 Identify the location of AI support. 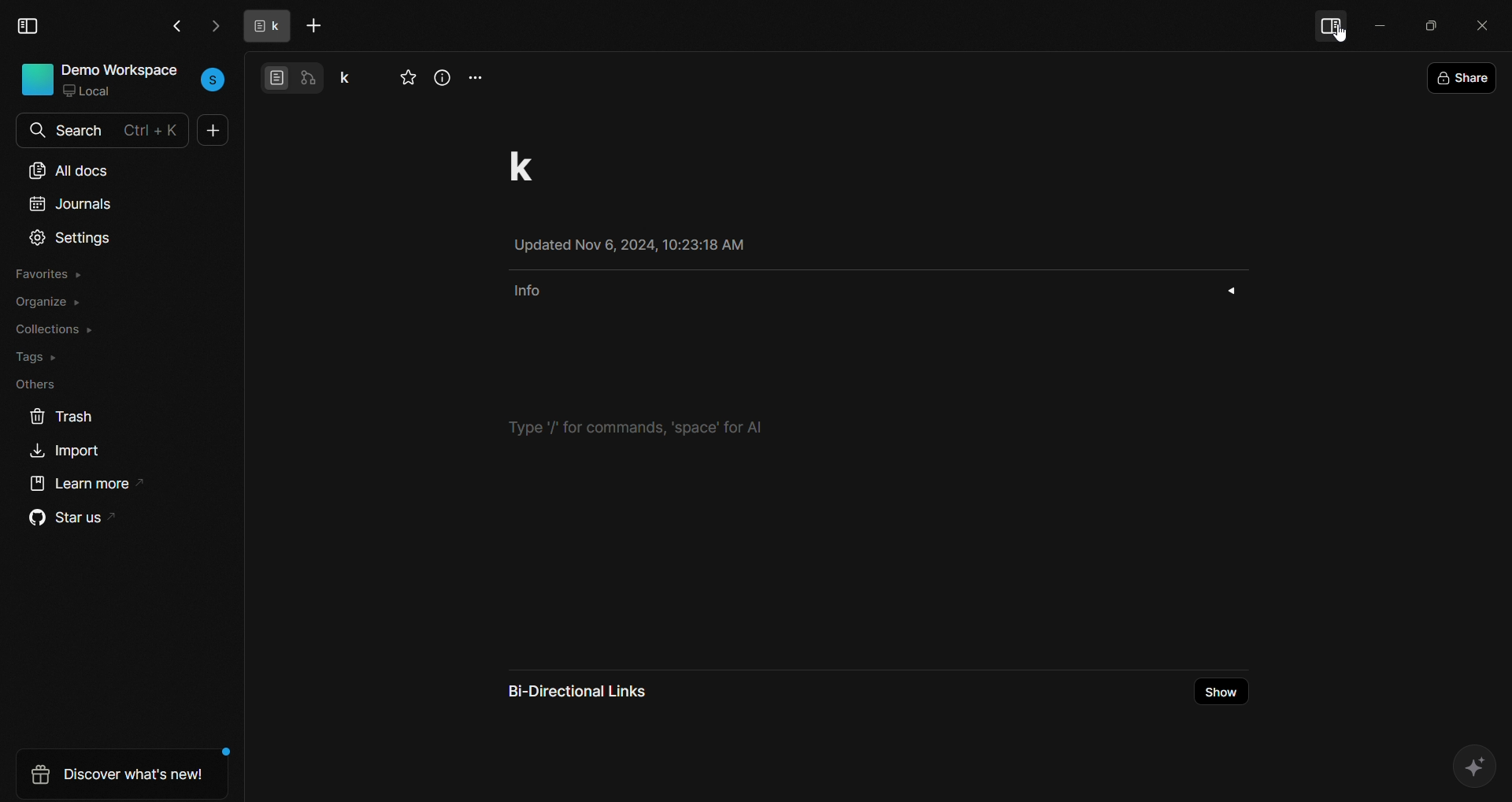
(1474, 765).